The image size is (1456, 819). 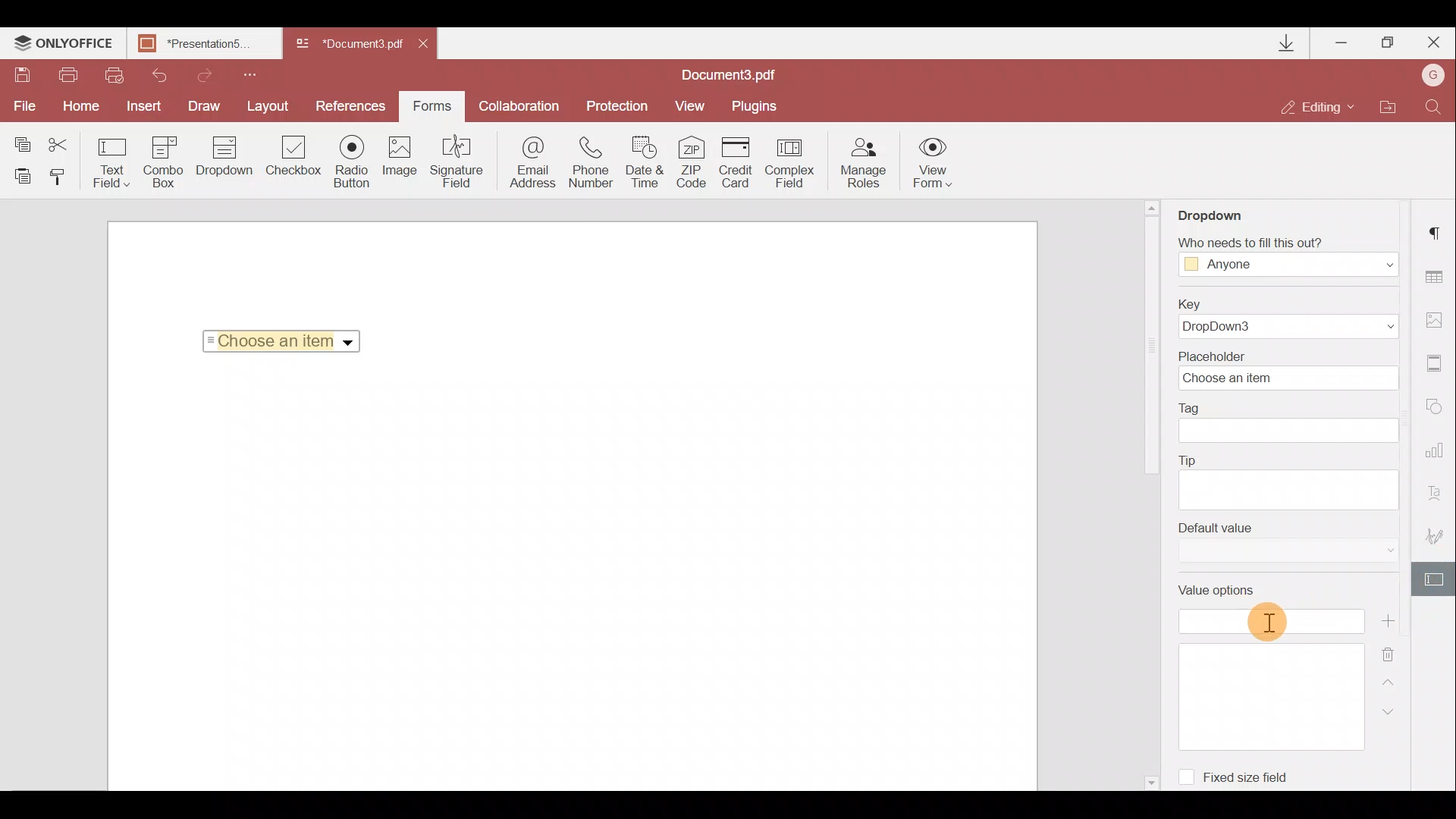 What do you see at coordinates (1266, 667) in the screenshot?
I see `Value options` at bounding box center [1266, 667].